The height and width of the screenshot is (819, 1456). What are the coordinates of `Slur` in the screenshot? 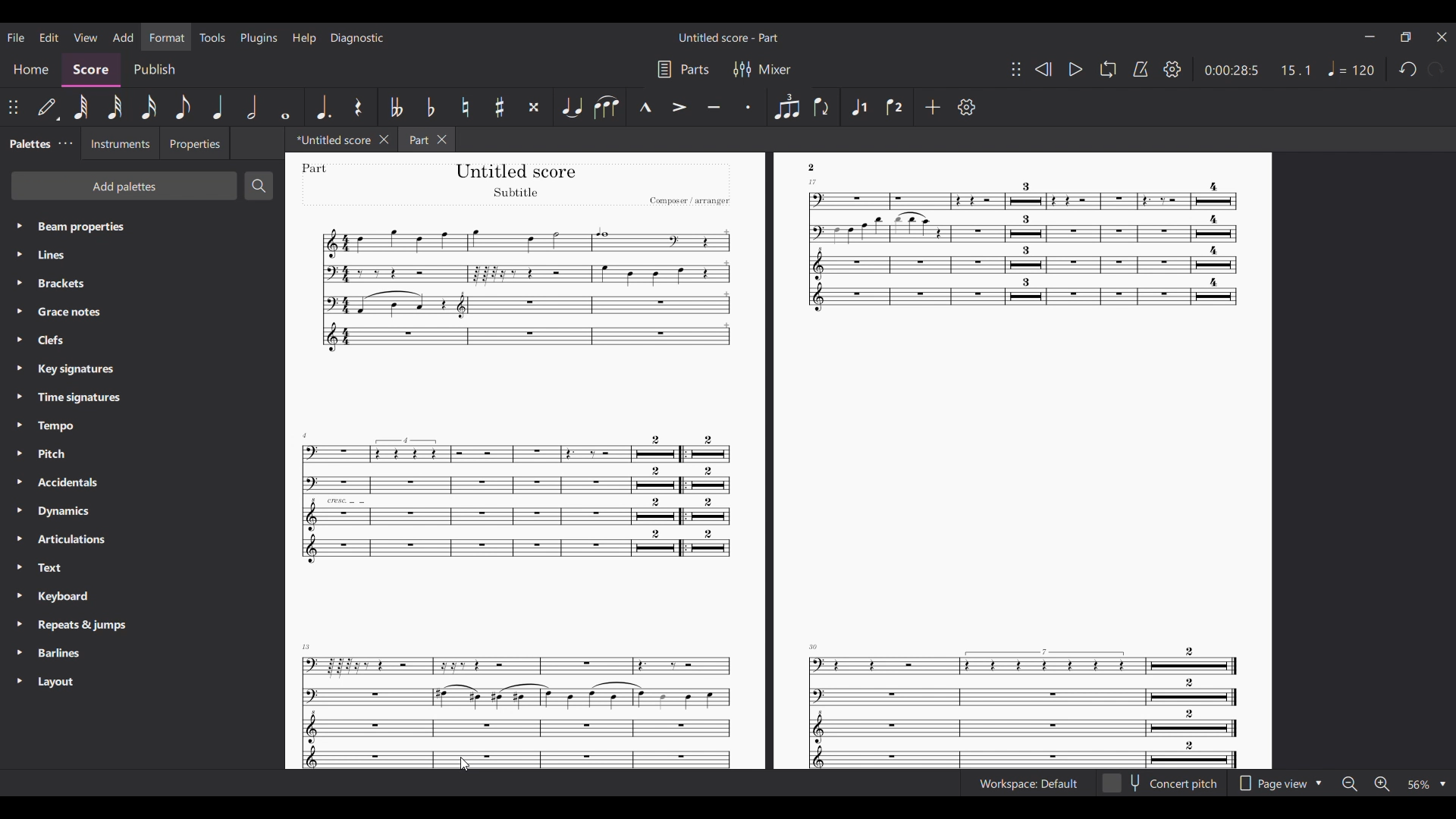 It's located at (607, 107).